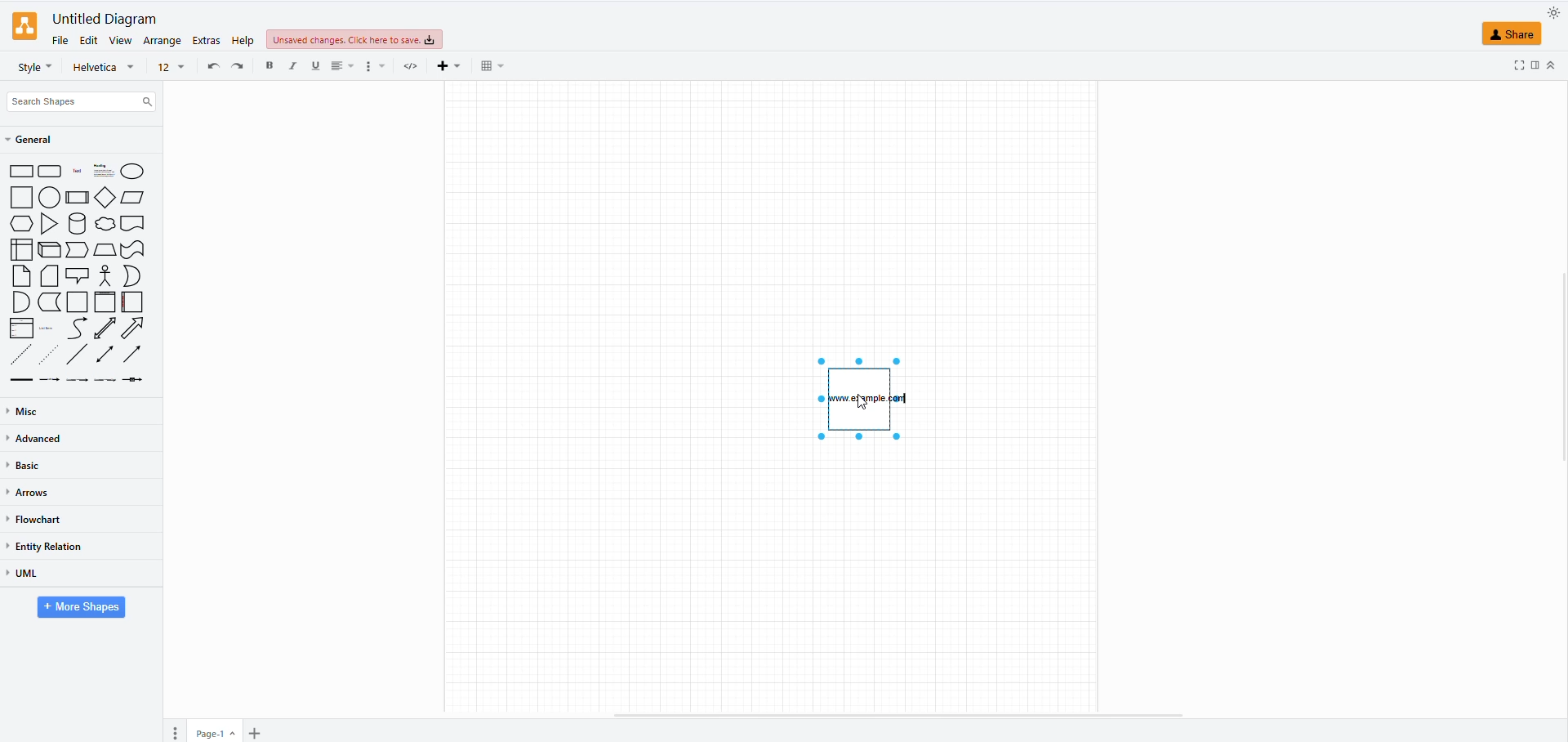 This screenshot has width=1568, height=742. What do you see at coordinates (51, 277) in the screenshot?
I see `card` at bounding box center [51, 277].